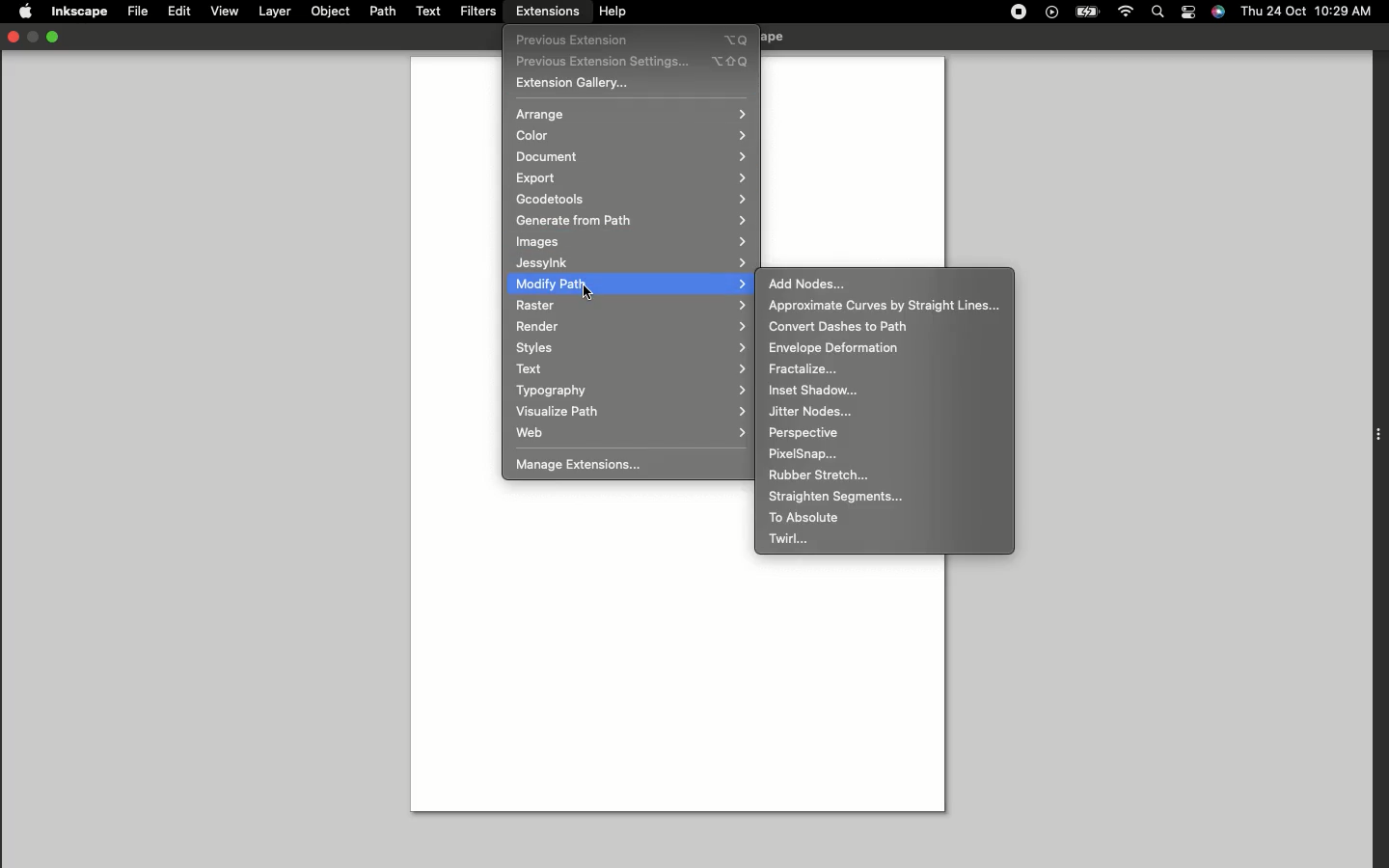 The width and height of the screenshot is (1389, 868). I want to click on Play, so click(1051, 13).